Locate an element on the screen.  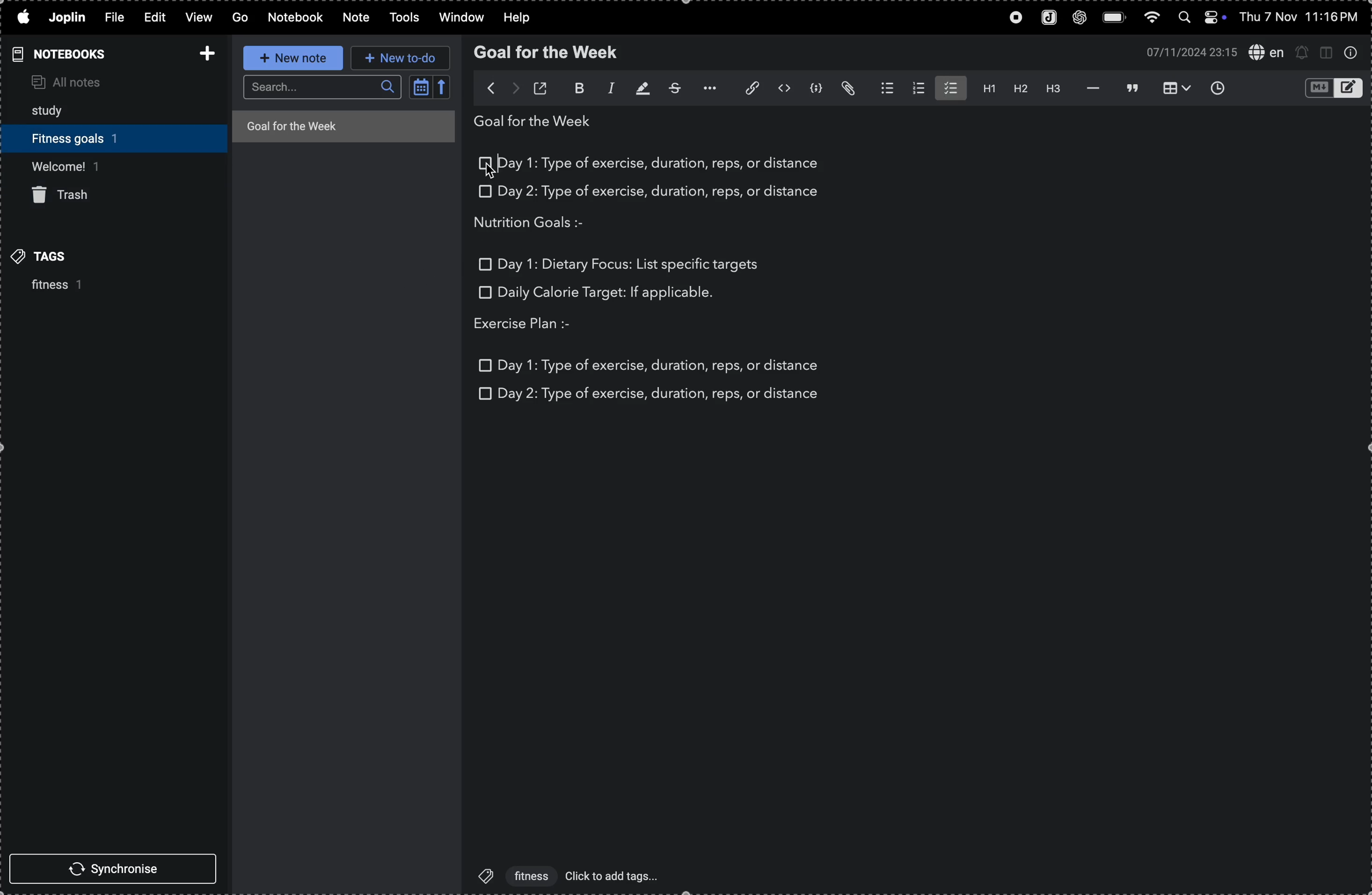
nutrition goals :- is located at coordinates (540, 222).